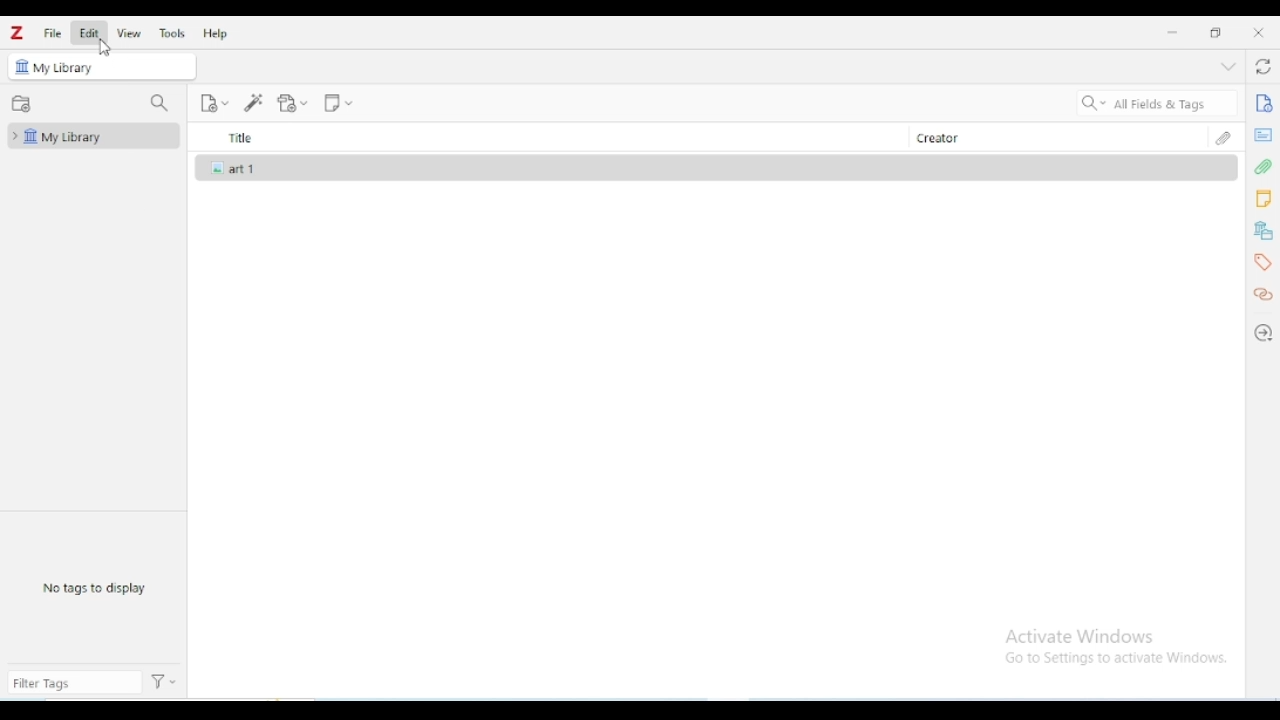 The height and width of the screenshot is (720, 1280). I want to click on my library, so click(91, 136).